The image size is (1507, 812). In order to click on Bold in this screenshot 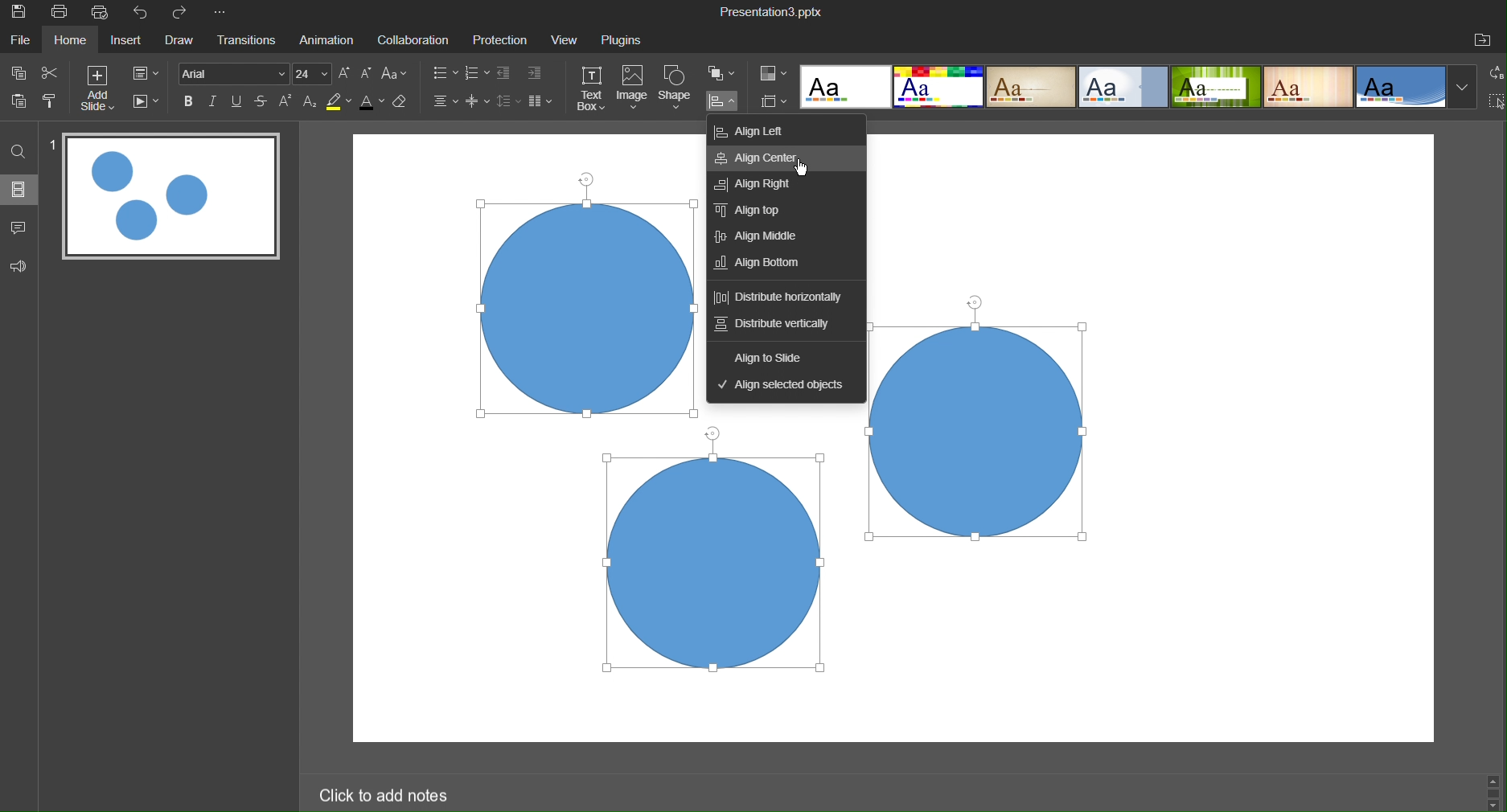, I will do `click(190, 101)`.